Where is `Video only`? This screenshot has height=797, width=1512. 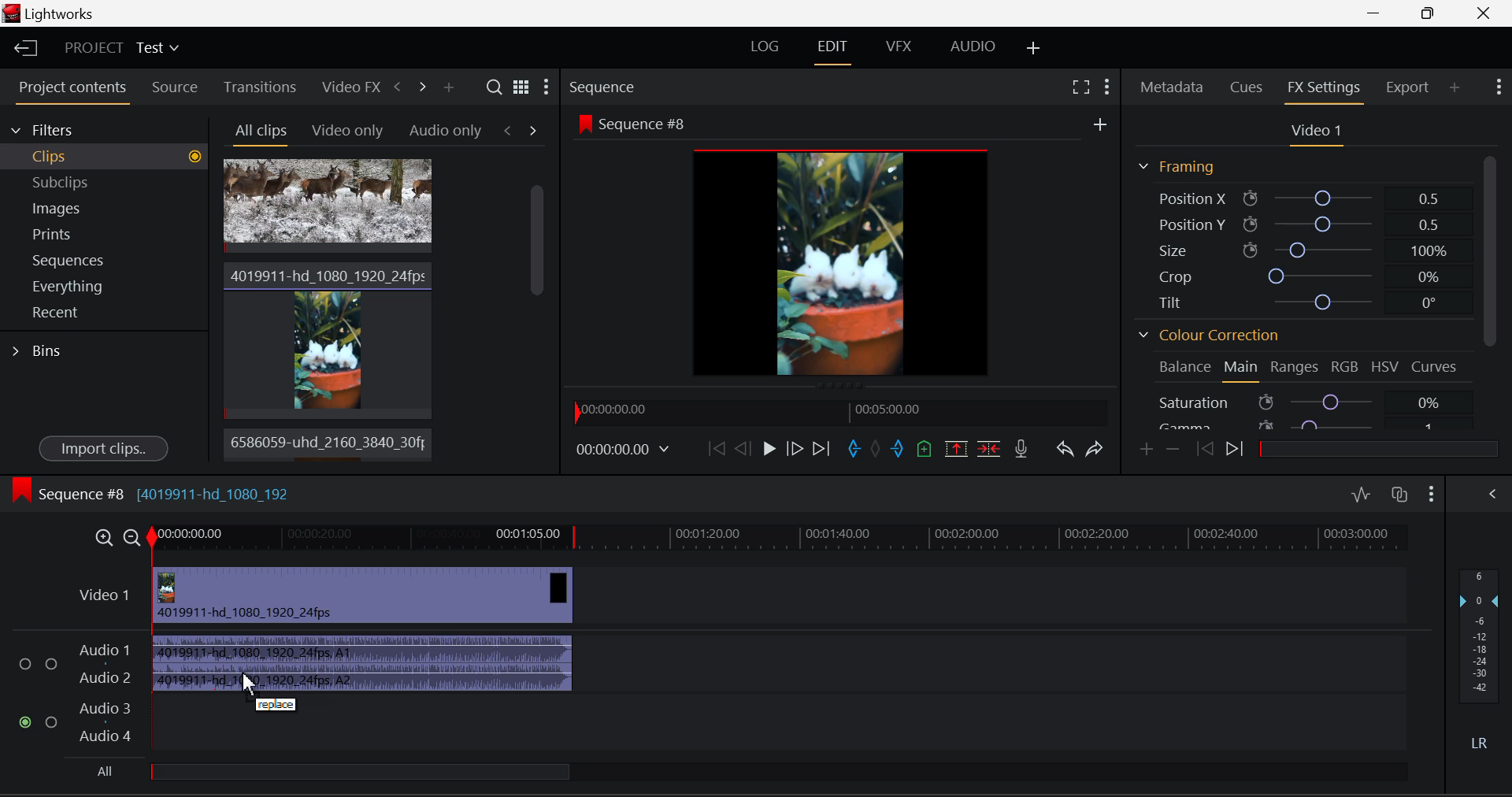 Video only is located at coordinates (345, 129).